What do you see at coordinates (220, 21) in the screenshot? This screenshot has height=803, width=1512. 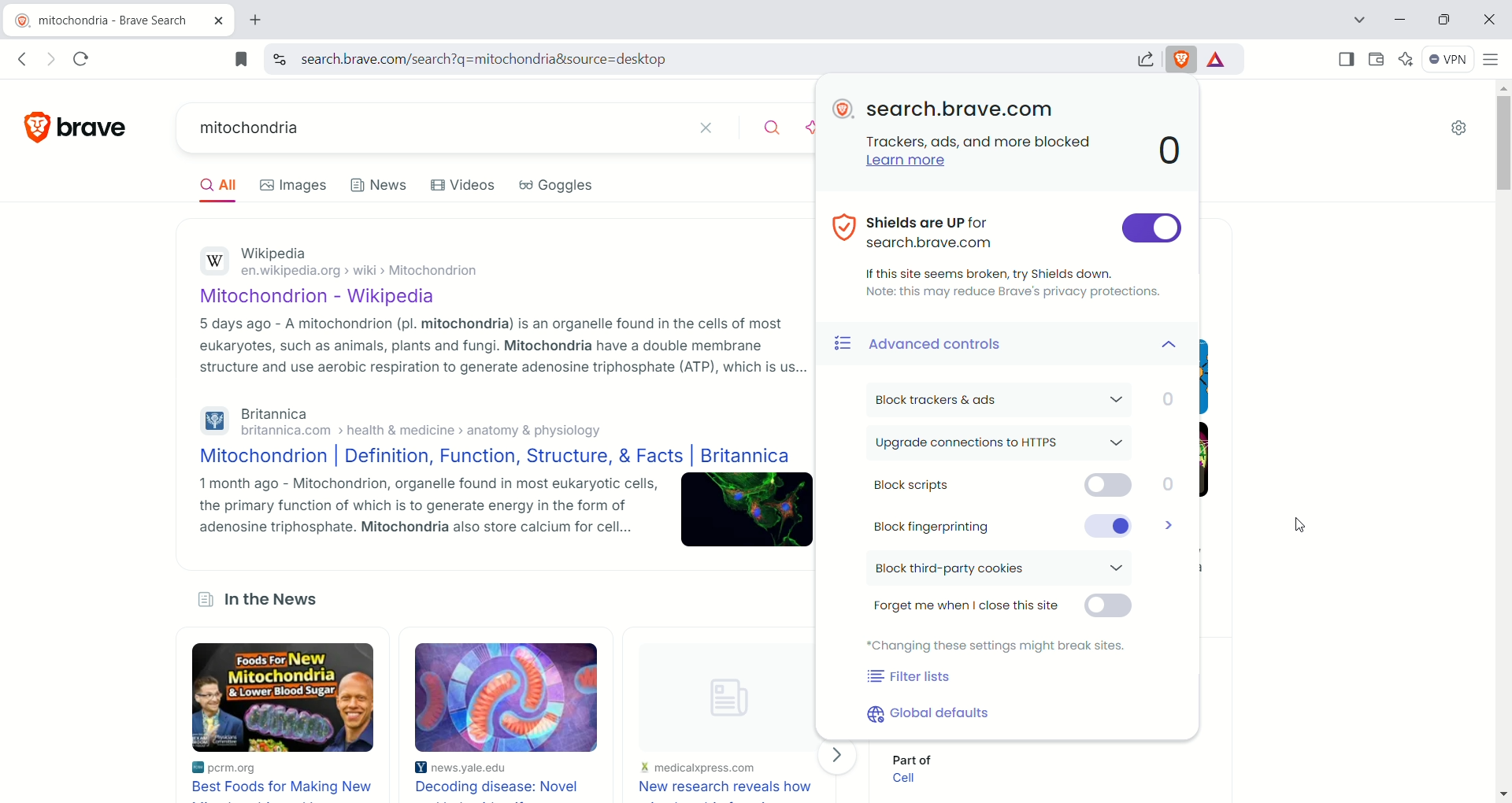 I see `Close tab` at bounding box center [220, 21].